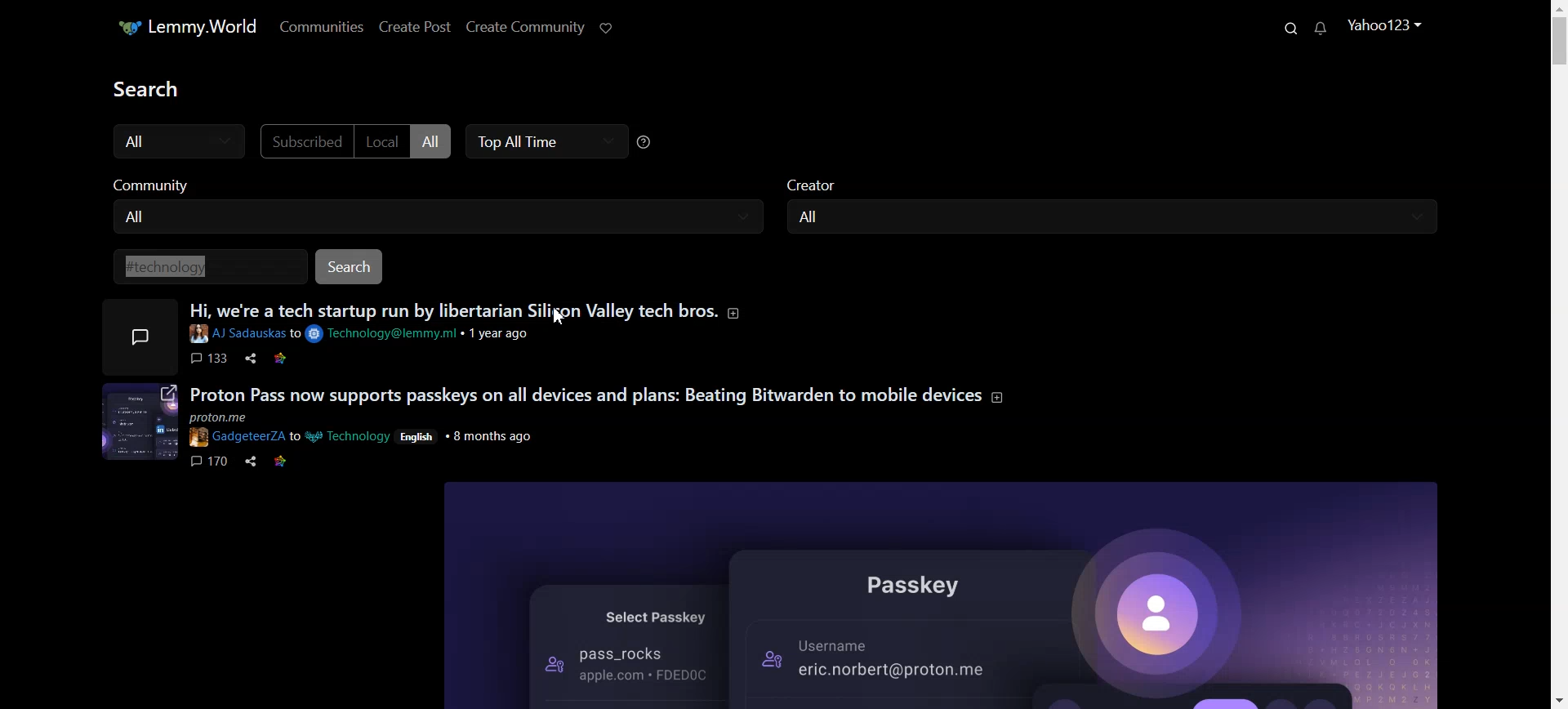 This screenshot has width=1568, height=709. What do you see at coordinates (350, 436) in the screenshot?
I see `Technology` at bounding box center [350, 436].